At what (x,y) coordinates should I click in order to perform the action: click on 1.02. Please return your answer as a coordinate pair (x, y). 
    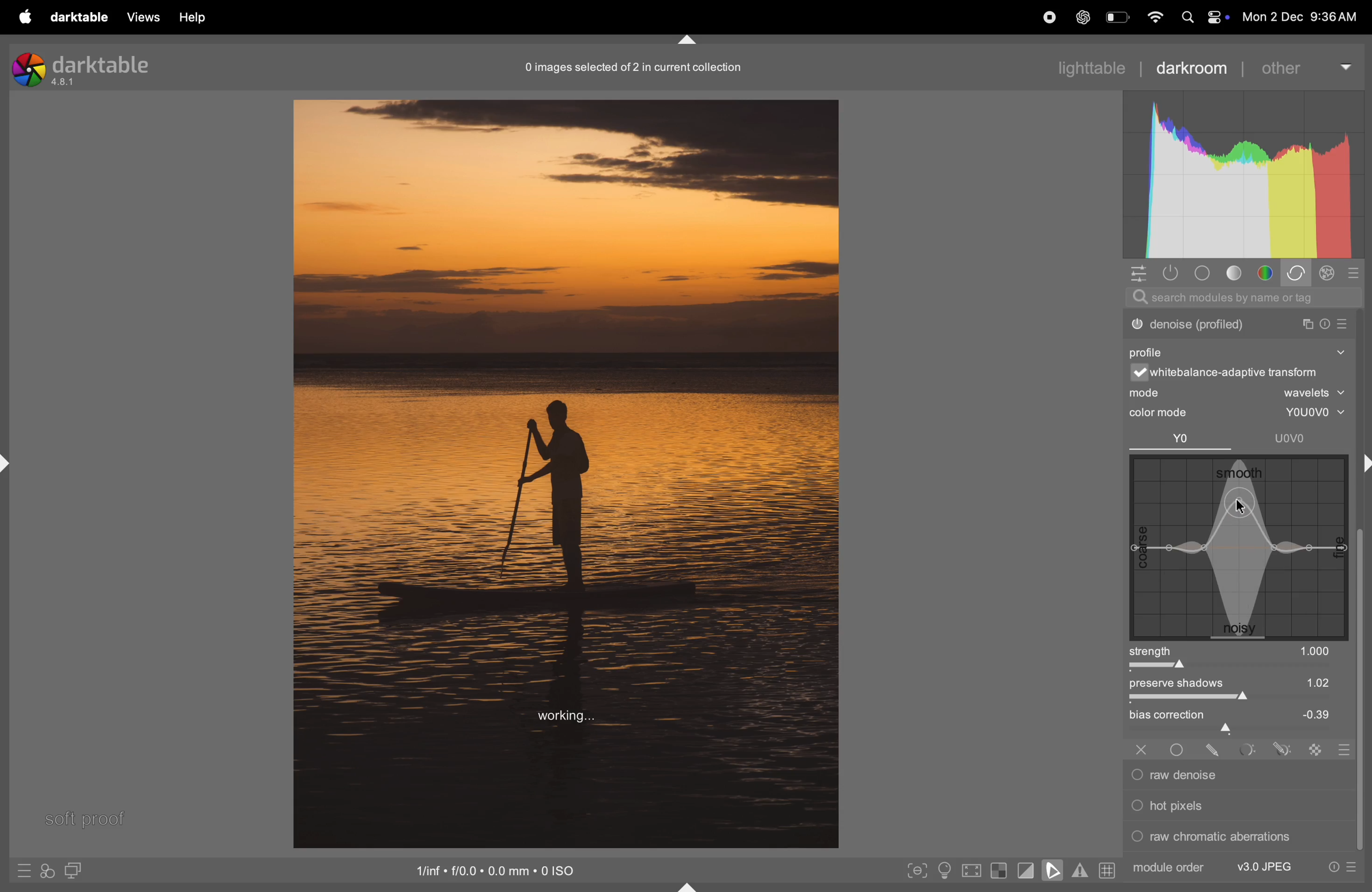
    Looking at the image, I should click on (1301, 682).